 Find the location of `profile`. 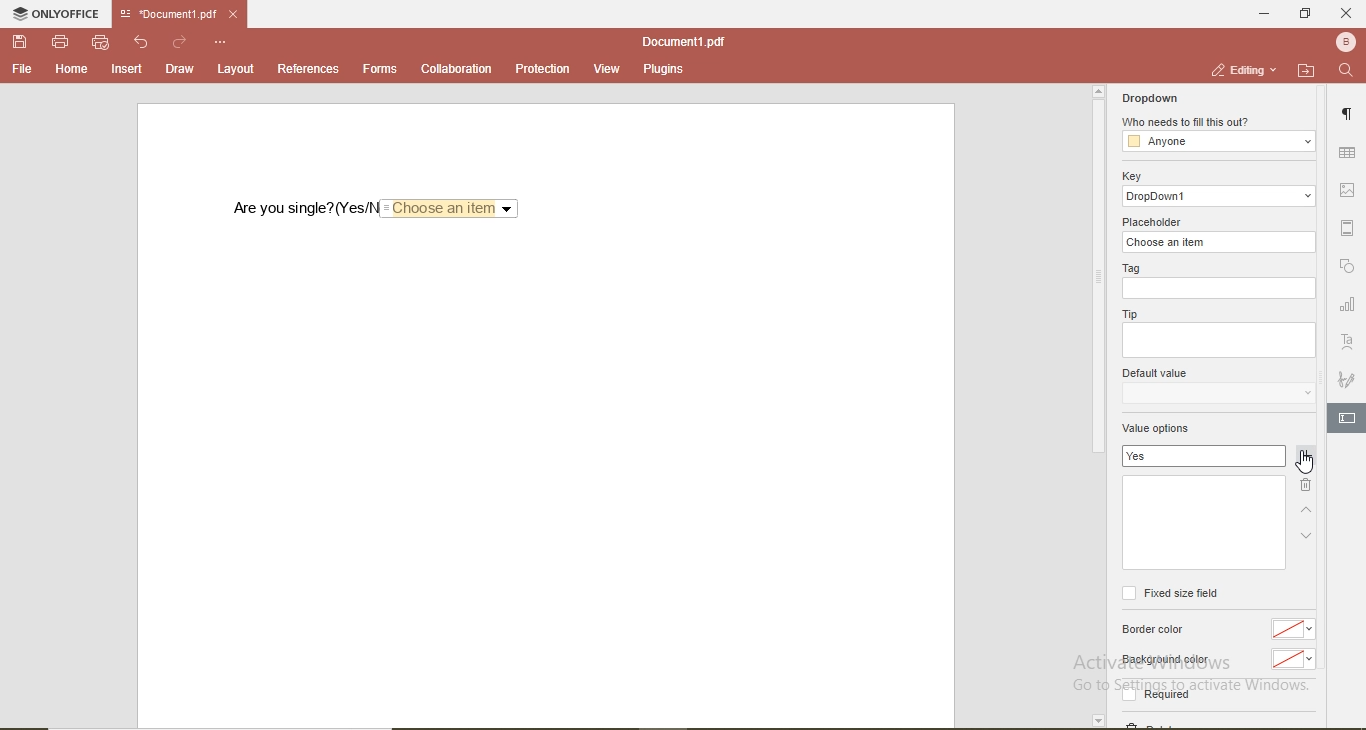

profile is located at coordinates (1347, 43).